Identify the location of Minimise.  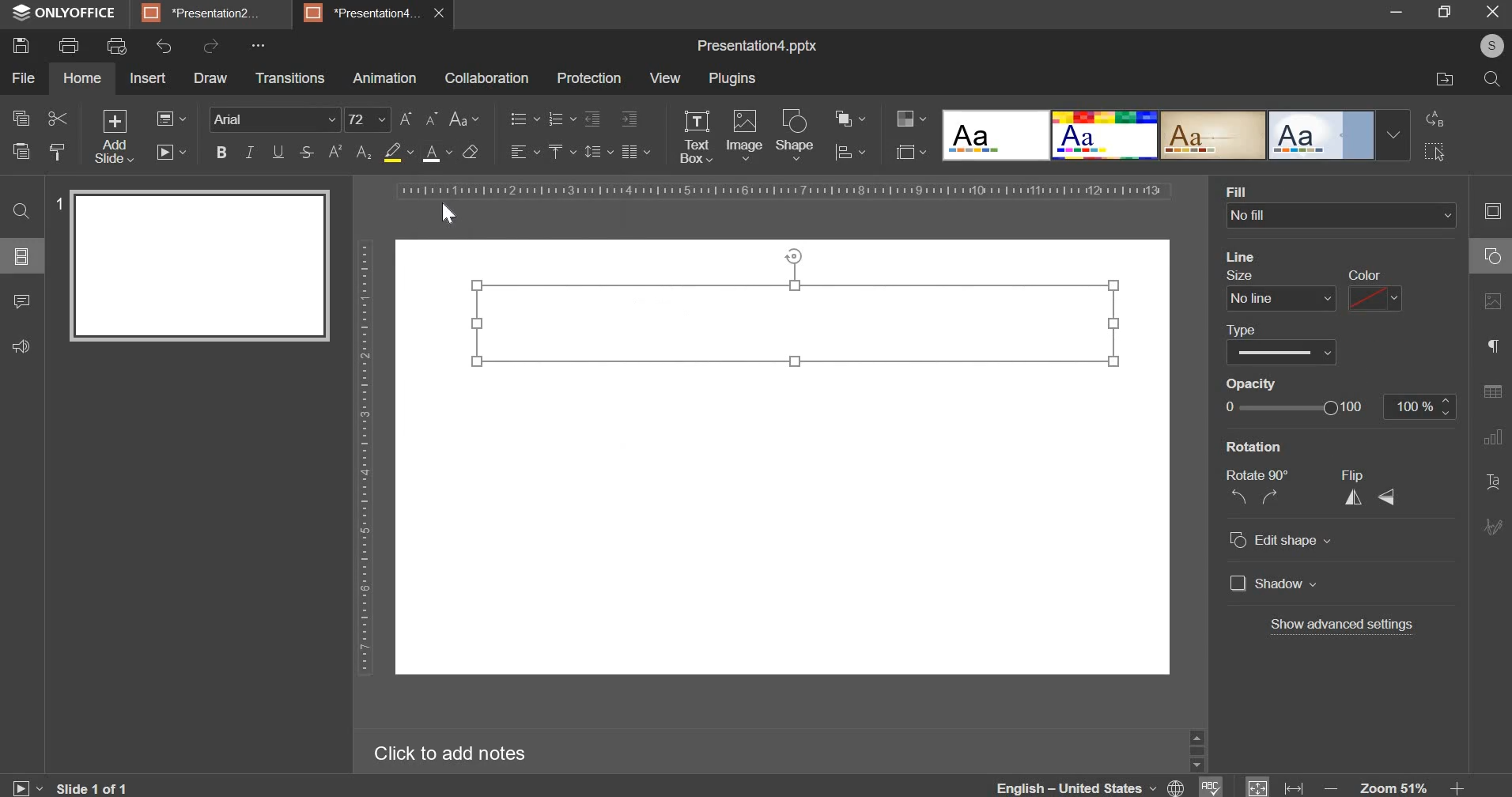
(1443, 15).